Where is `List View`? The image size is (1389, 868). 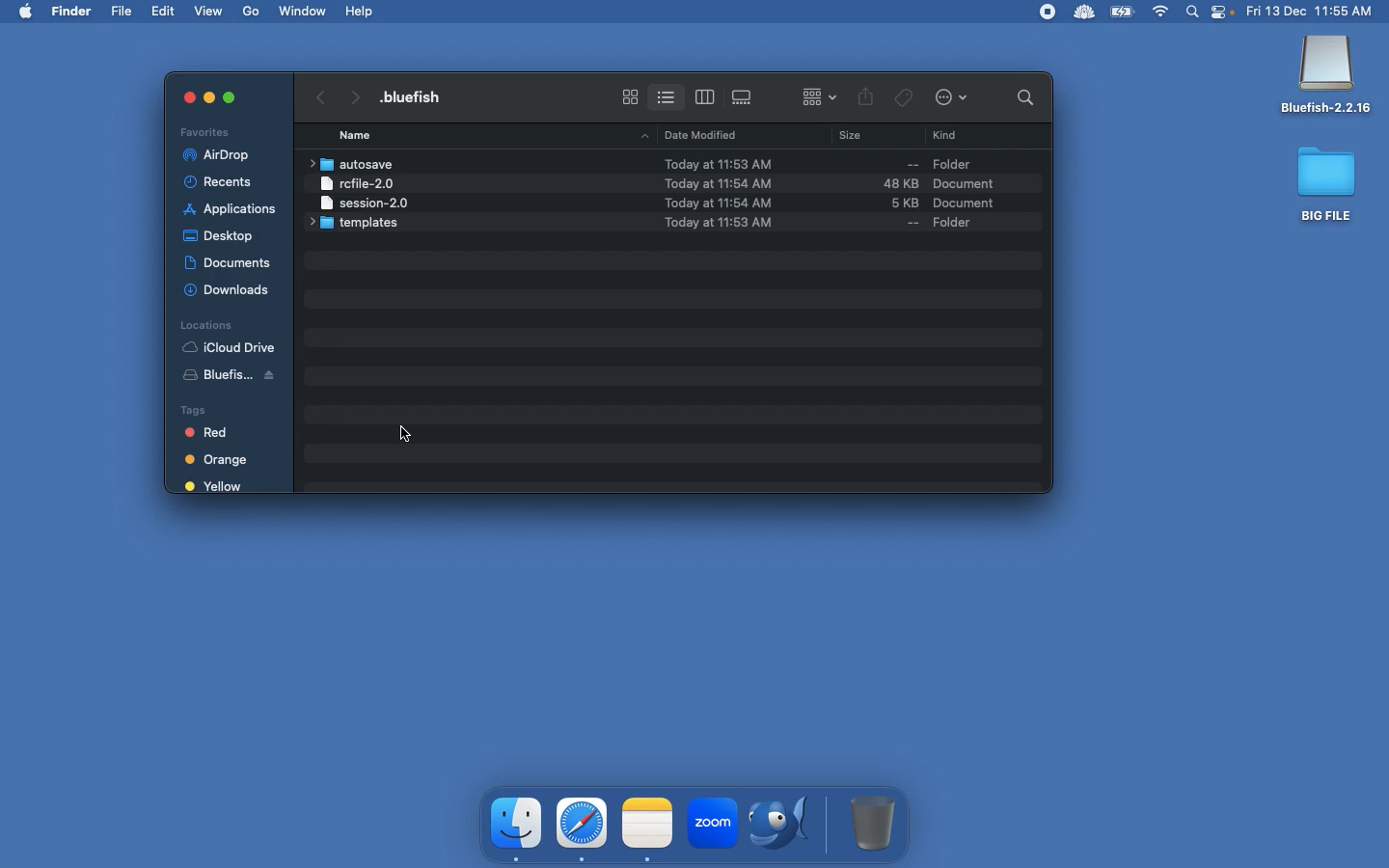 List View is located at coordinates (666, 94).